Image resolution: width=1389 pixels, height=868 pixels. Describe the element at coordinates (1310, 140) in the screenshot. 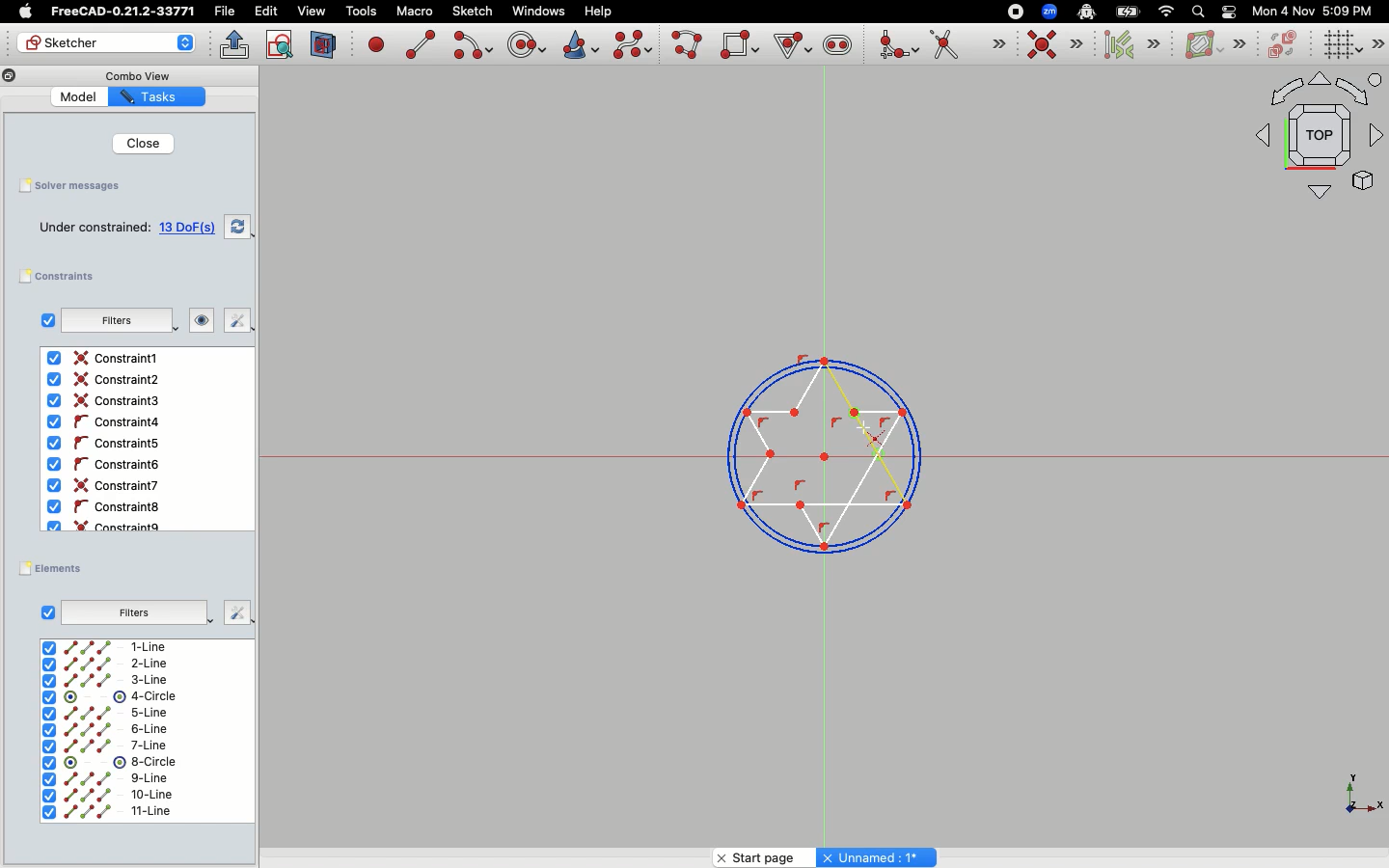

I see `Top` at that location.